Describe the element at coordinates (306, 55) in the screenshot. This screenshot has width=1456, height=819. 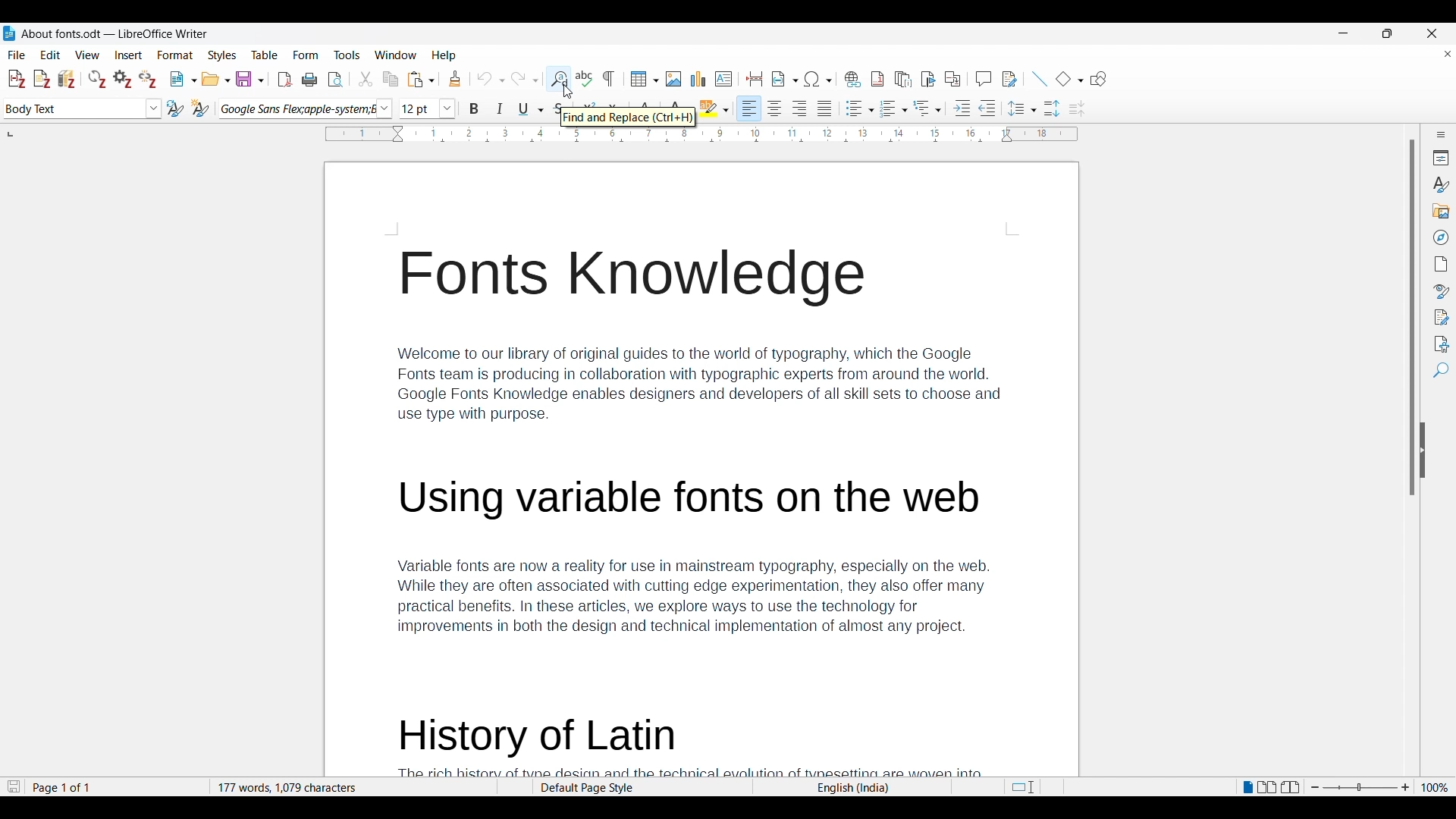
I see `Form menu` at that location.